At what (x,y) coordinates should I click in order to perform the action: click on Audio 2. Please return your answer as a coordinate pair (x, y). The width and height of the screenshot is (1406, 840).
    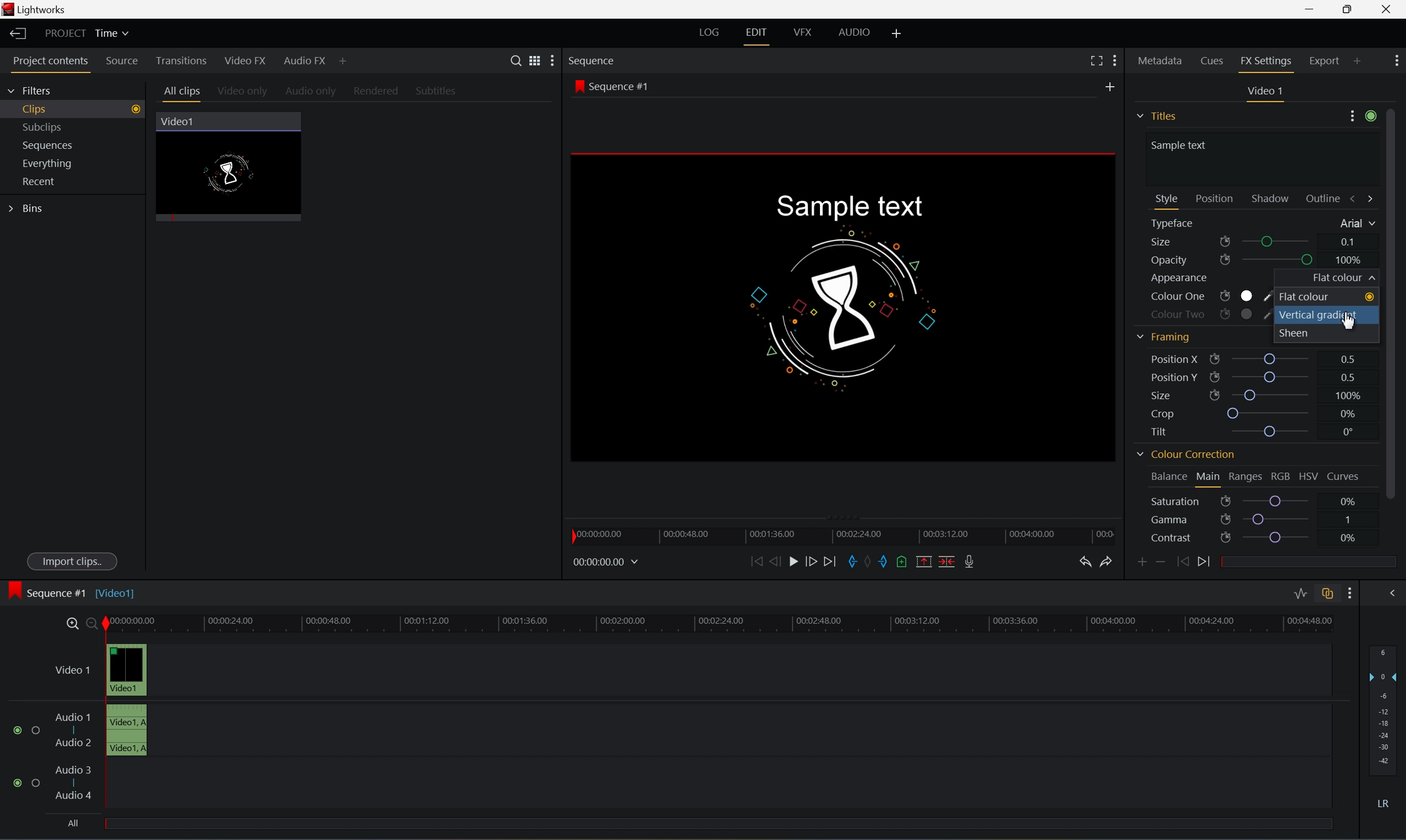
    Looking at the image, I should click on (74, 744).